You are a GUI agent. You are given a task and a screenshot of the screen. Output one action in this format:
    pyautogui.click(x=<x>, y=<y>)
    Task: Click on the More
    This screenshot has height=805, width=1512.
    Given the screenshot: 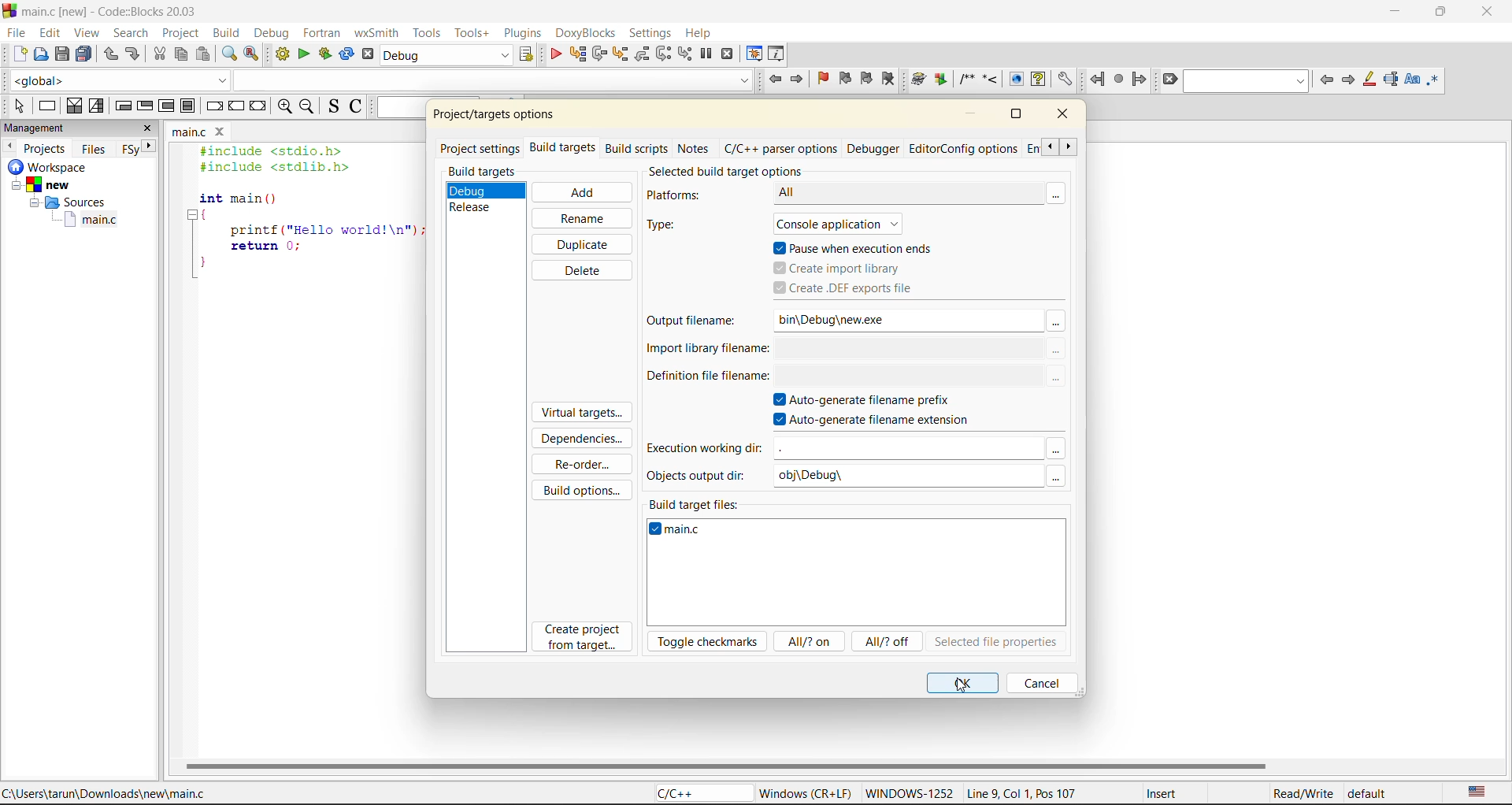 What is the action you would take?
    pyautogui.click(x=1058, y=350)
    